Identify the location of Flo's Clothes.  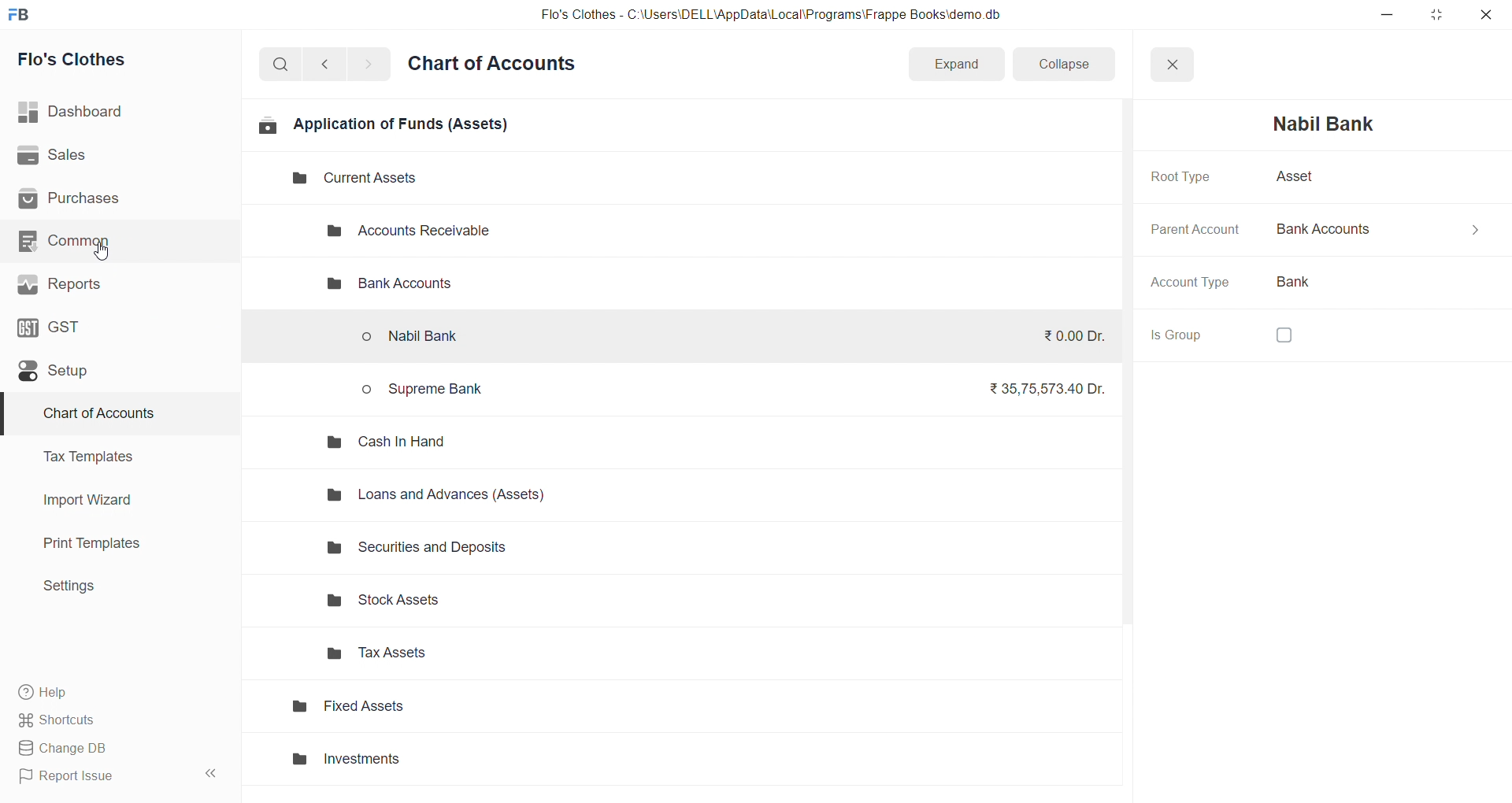
(113, 60).